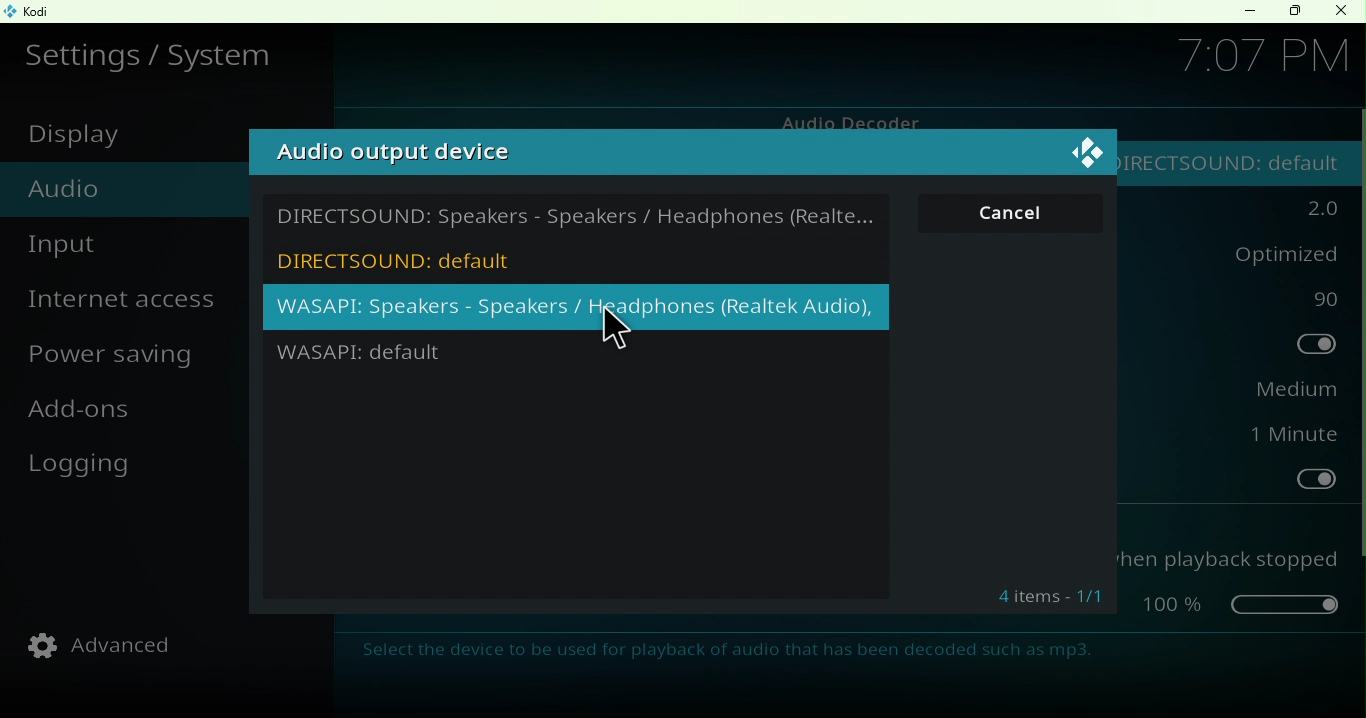 The image size is (1366, 718). I want to click on Maximize, so click(1287, 13).